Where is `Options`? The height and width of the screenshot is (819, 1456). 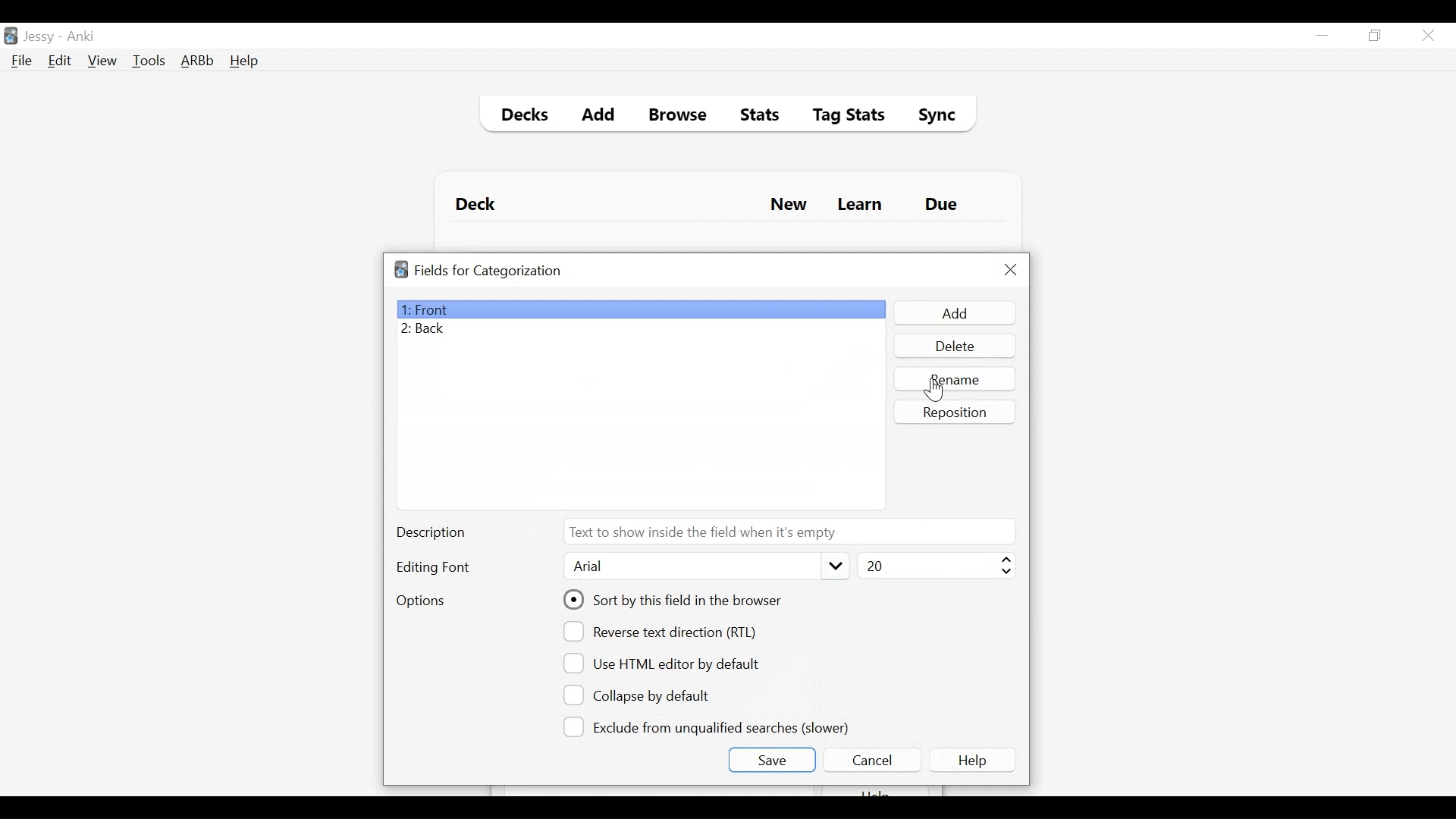
Options is located at coordinates (420, 602).